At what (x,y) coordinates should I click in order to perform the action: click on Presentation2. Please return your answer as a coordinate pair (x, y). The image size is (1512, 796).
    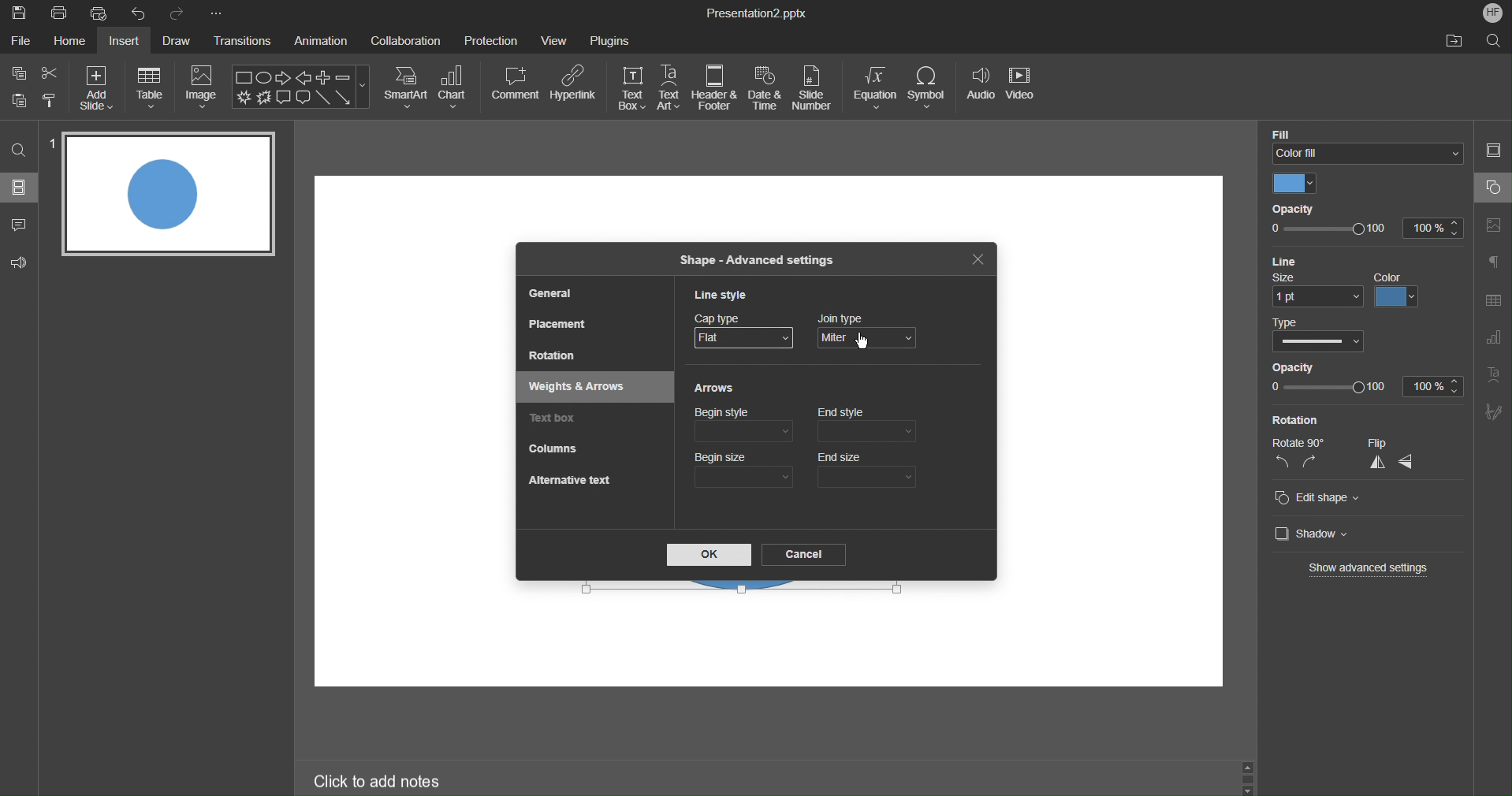
    Looking at the image, I should click on (755, 15).